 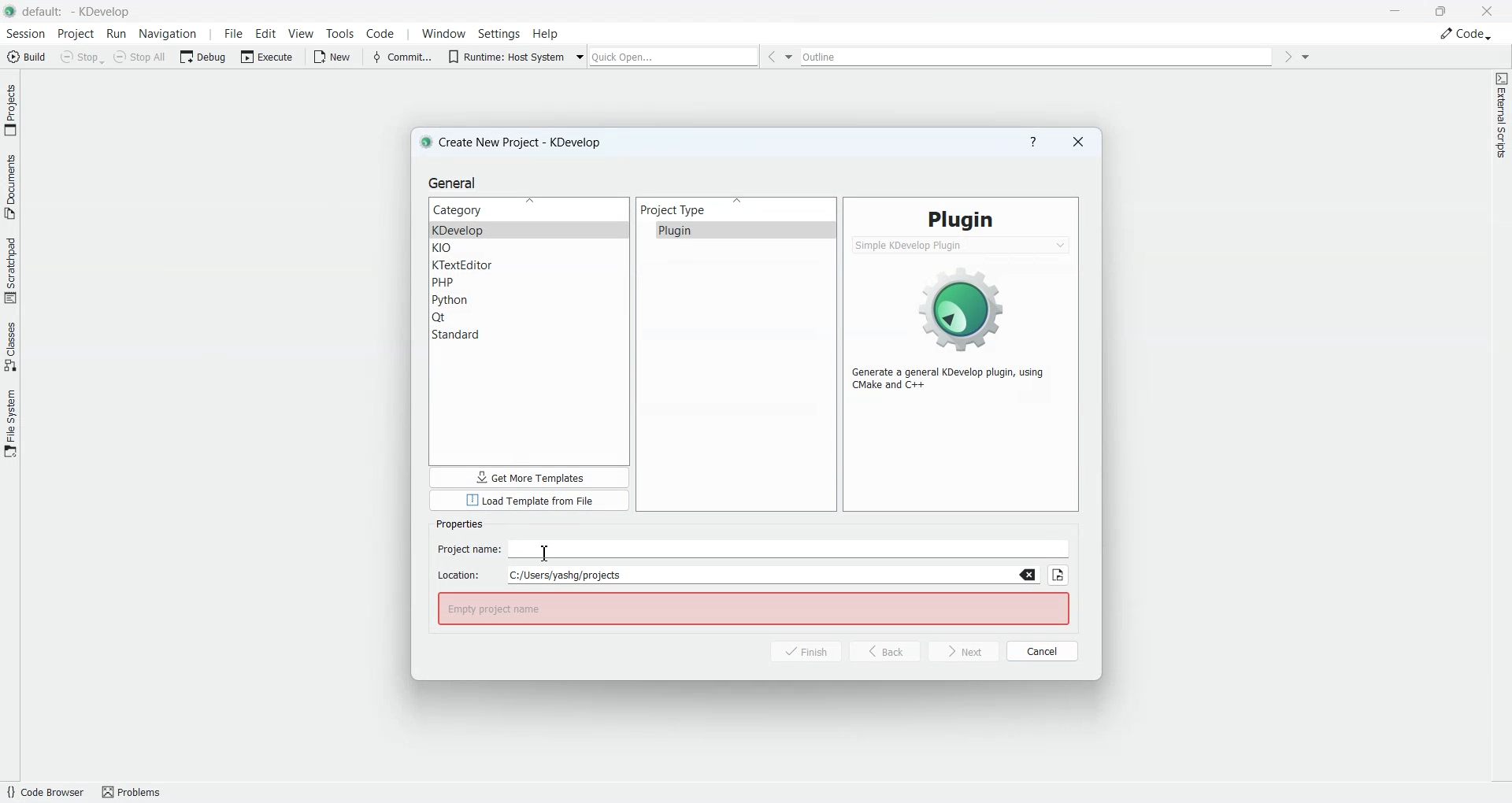 I want to click on Text, so click(x=955, y=379).